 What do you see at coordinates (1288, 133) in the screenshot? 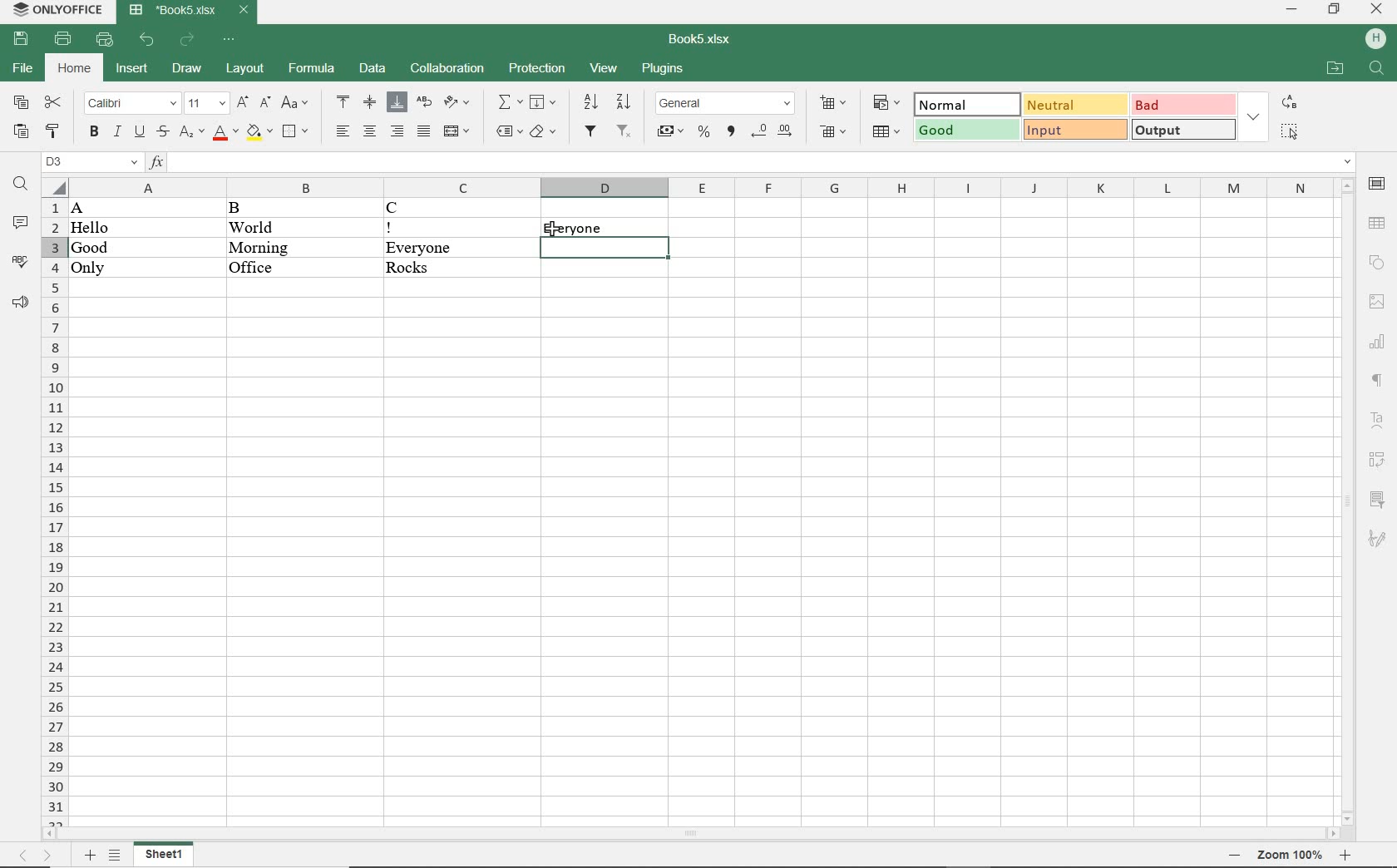
I see `select all` at bounding box center [1288, 133].